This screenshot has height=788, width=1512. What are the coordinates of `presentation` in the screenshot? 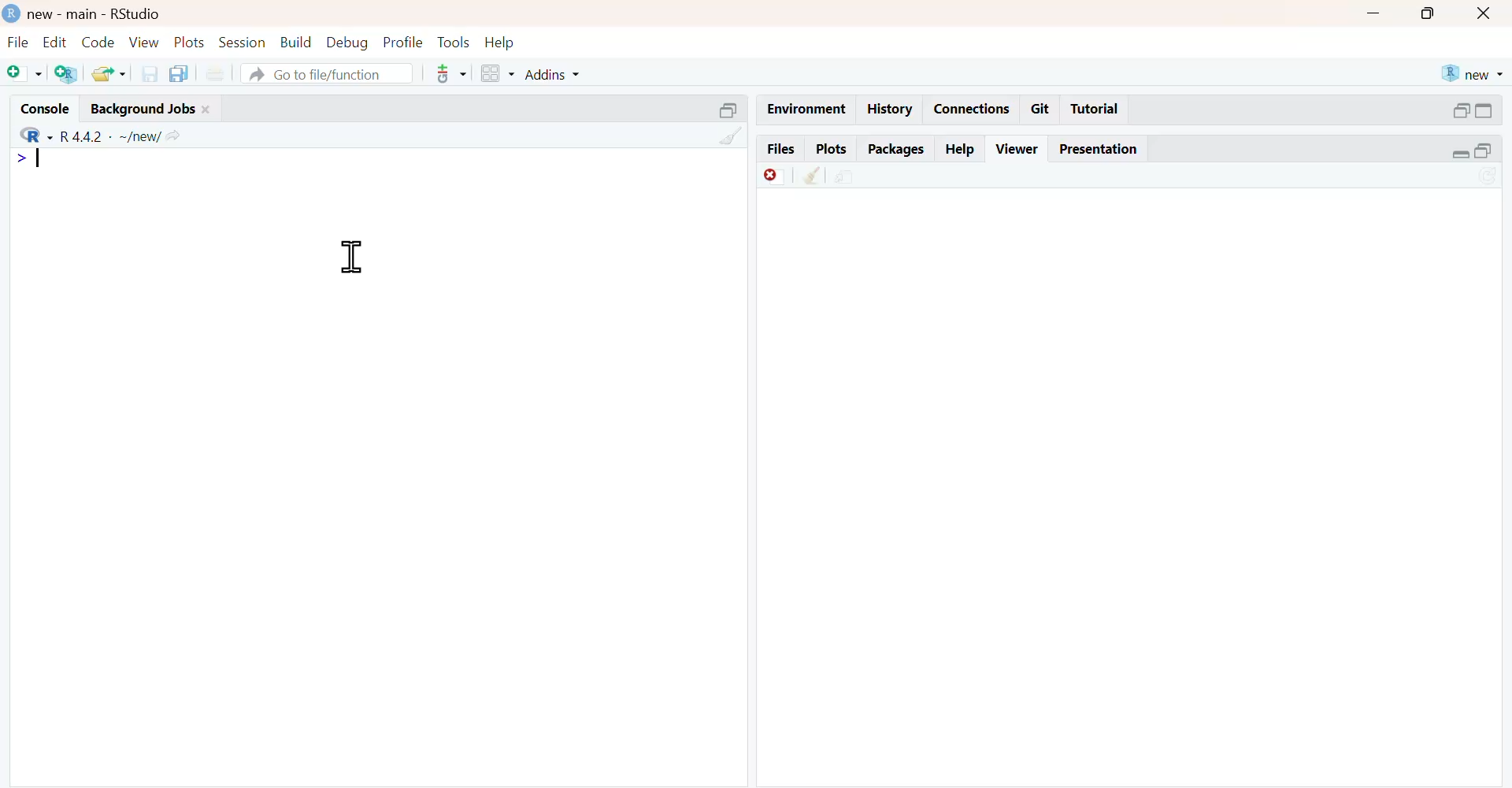 It's located at (1102, 151).